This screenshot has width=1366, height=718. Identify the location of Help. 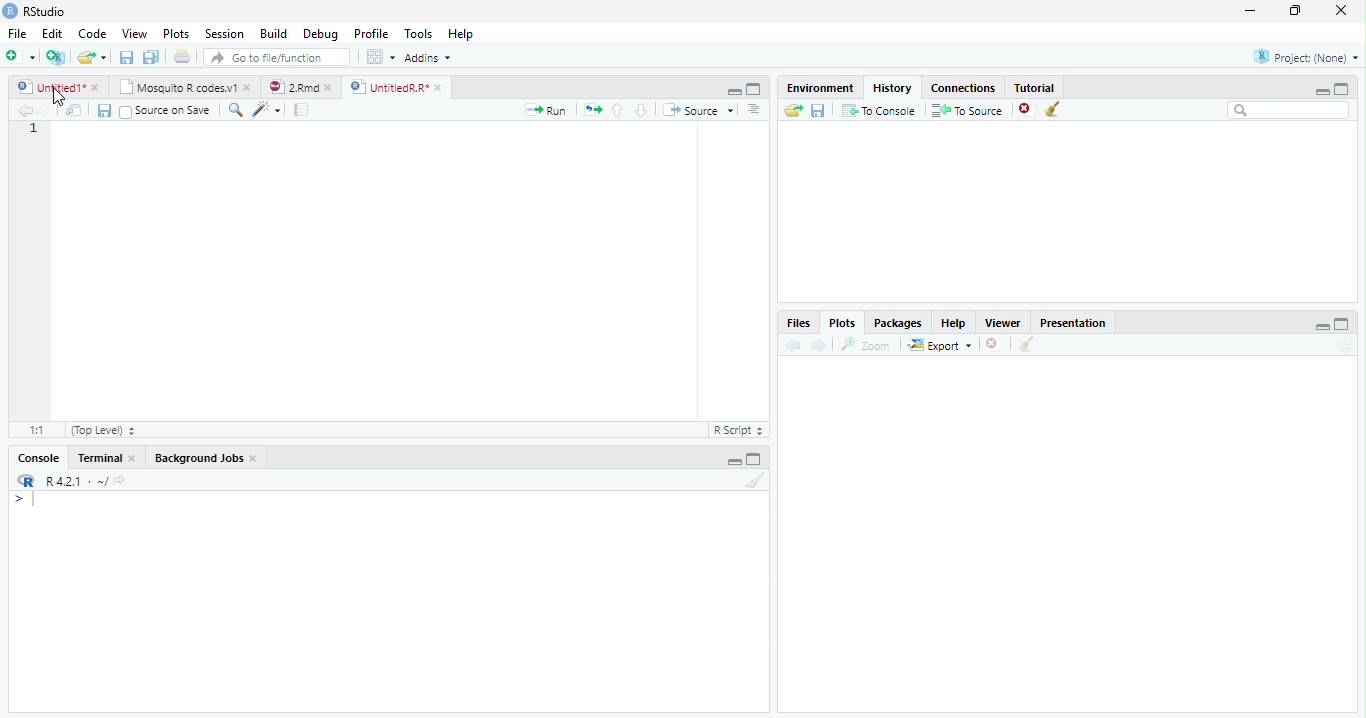
(460, 36).